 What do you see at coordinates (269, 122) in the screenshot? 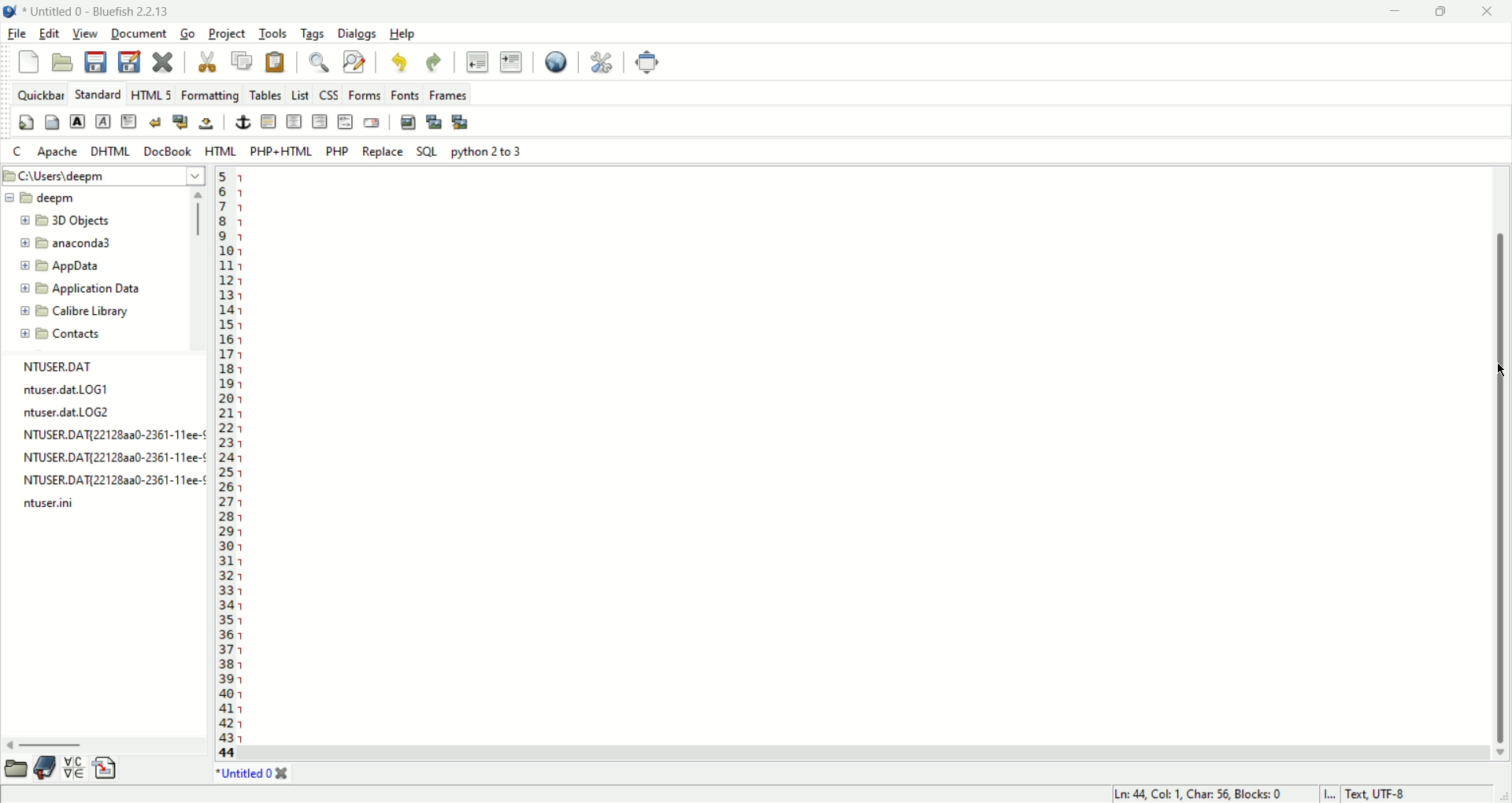
I see `horizontal rule` at bounding box center [269, 122].